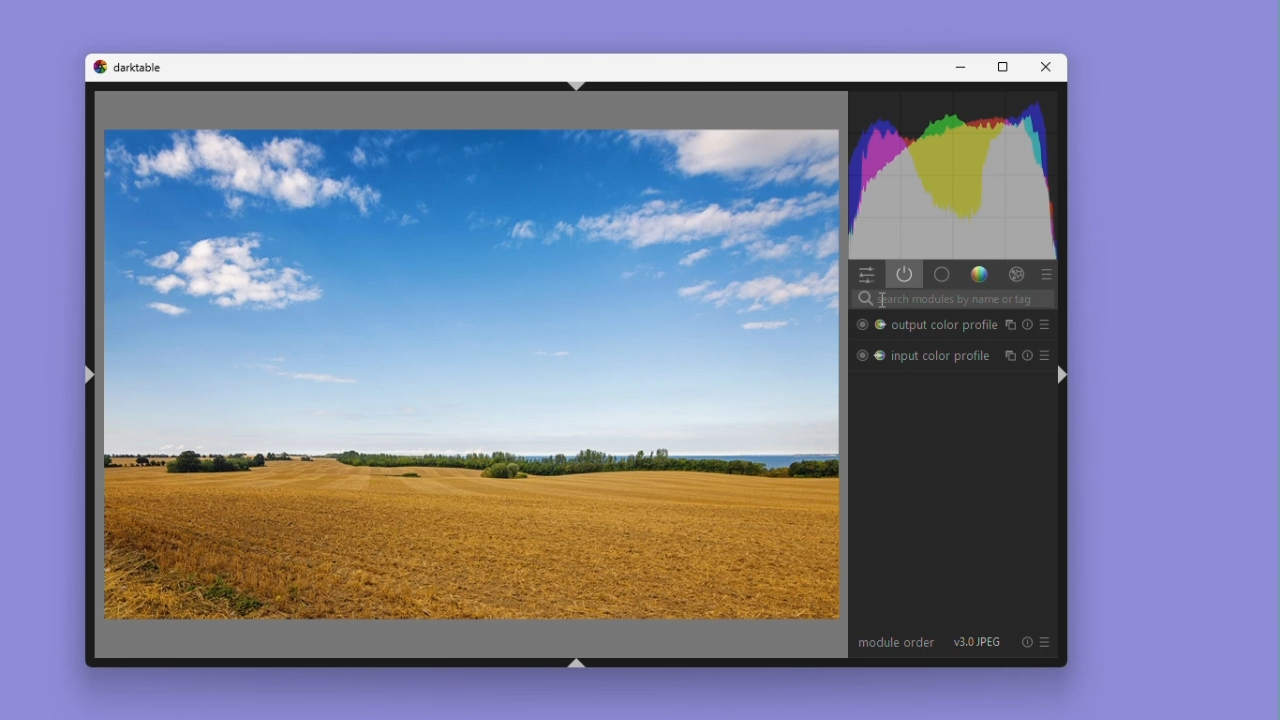  What do you see at coordinates (945, 325) in the screenshot?
I see `Output color profile` at bounding box center [945, 325].